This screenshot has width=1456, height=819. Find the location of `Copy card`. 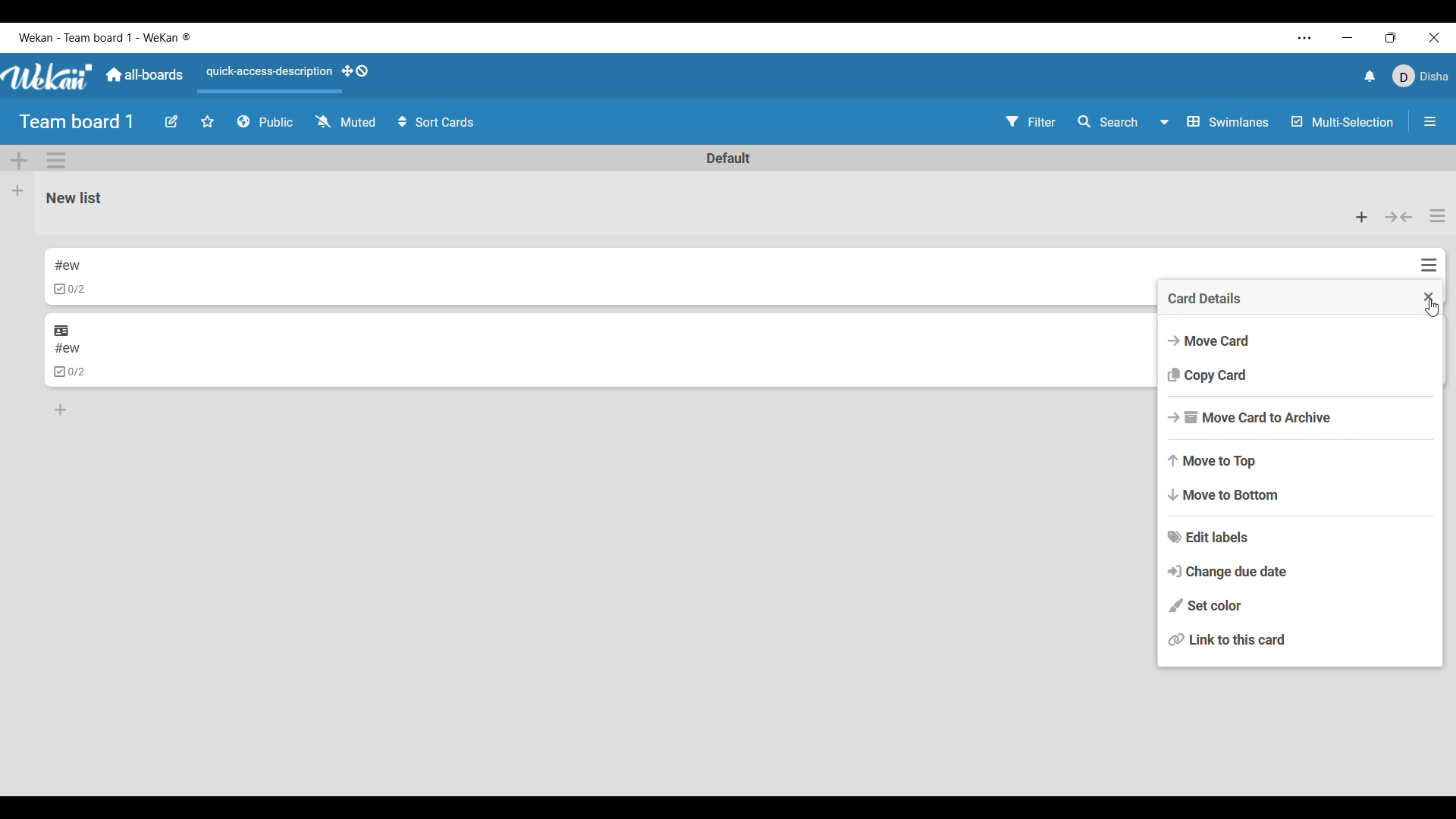

Copy card is located at coordinates (1301, 376).